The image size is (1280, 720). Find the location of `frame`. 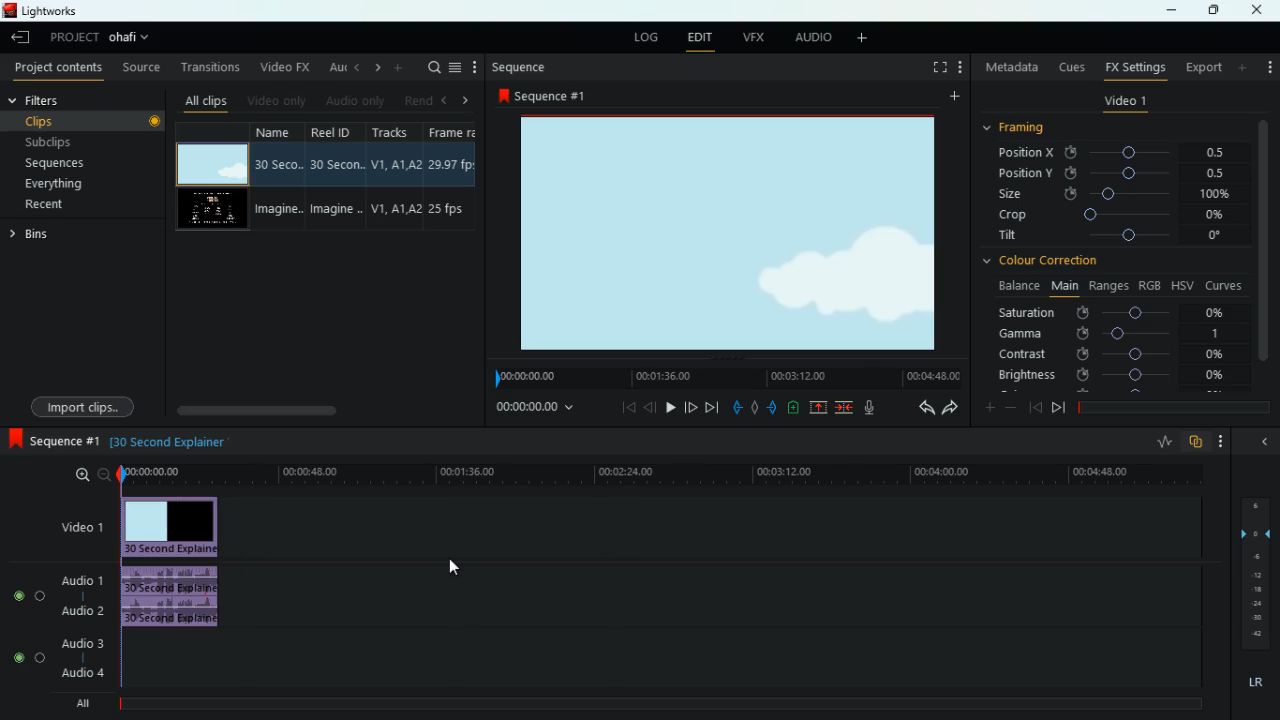

frame is located at coordinates (457, 131).